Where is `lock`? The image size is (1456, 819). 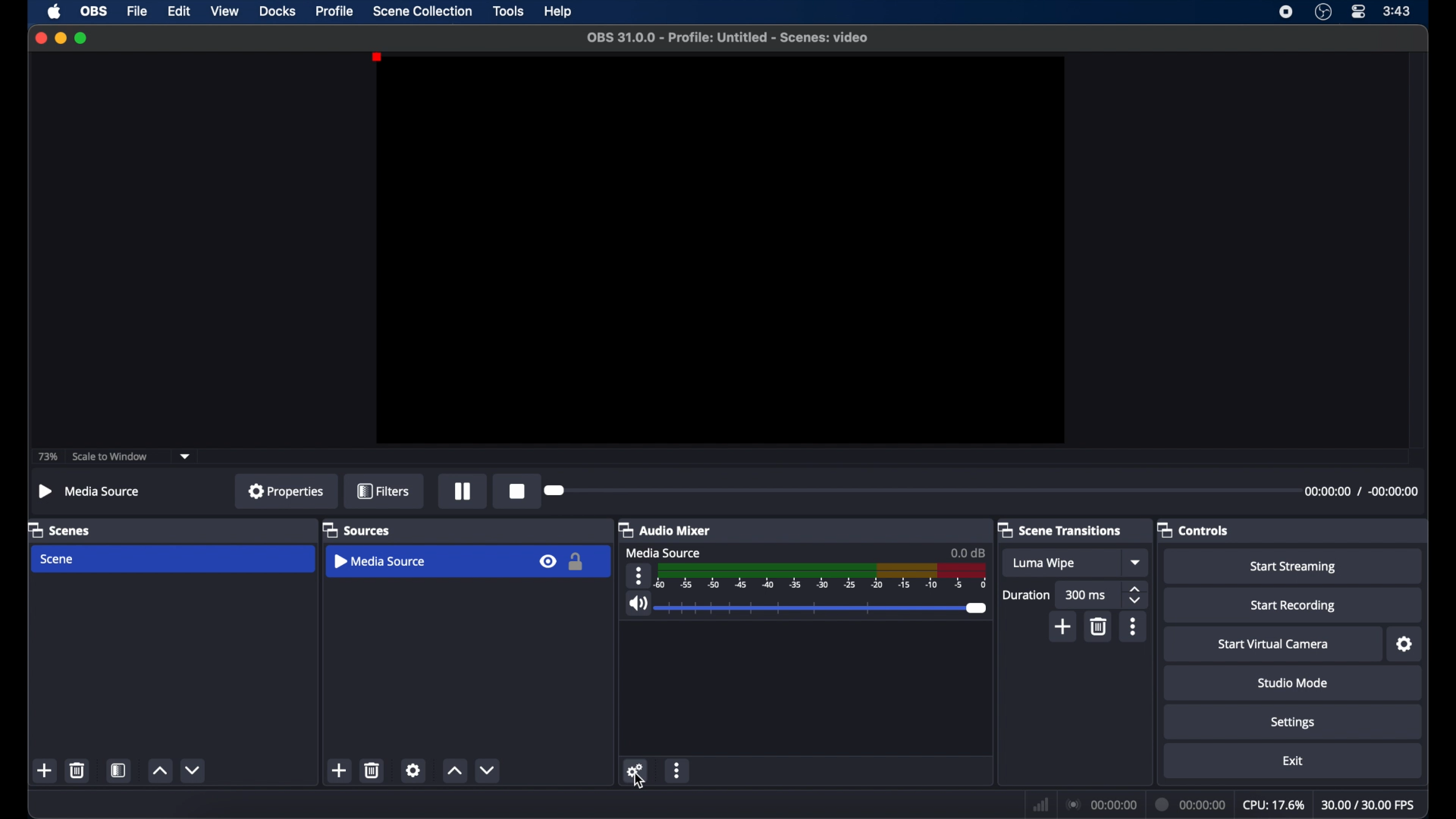
lock is located at coordinates (578, 561).